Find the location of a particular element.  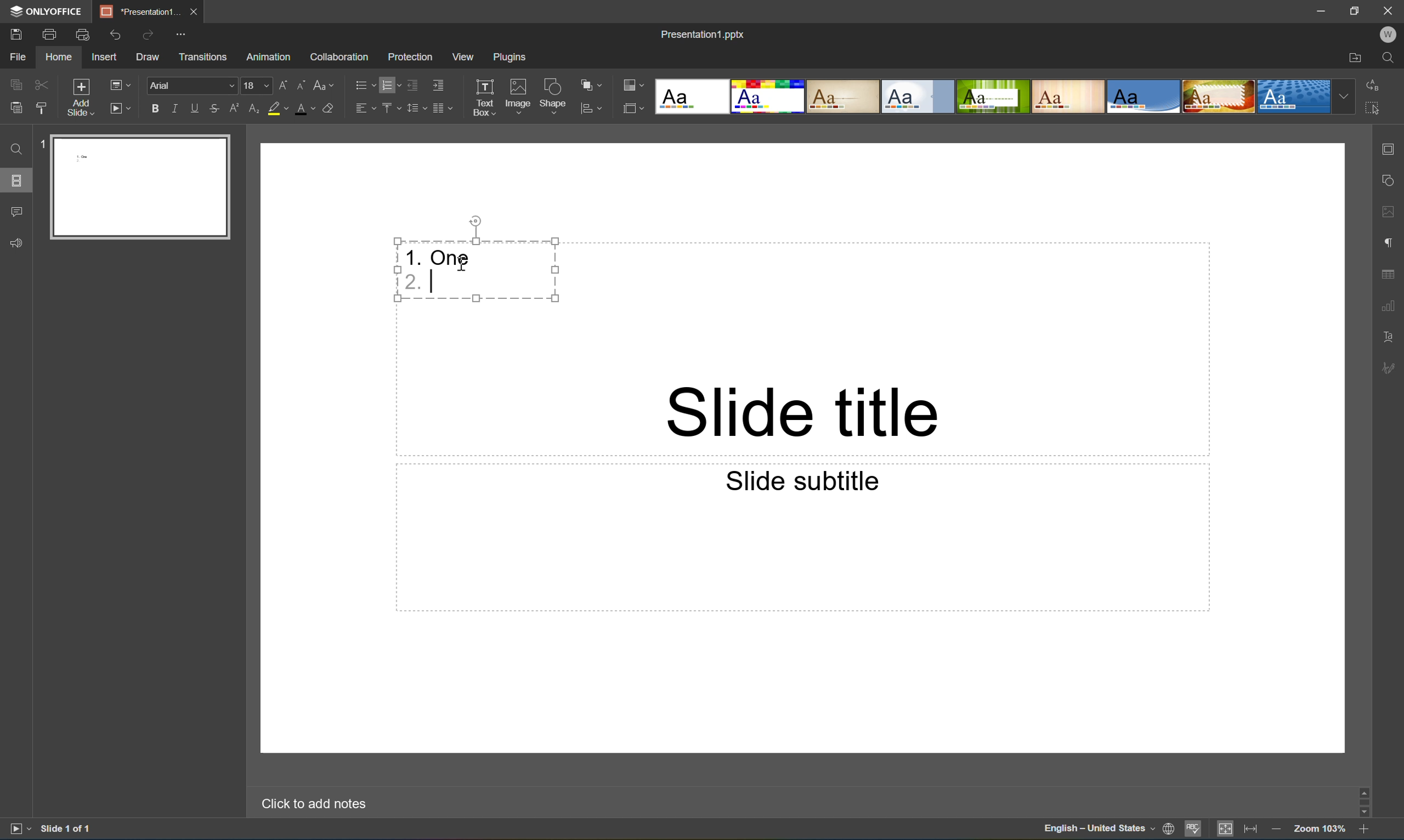

Insert is located at coordinates (104, 57).